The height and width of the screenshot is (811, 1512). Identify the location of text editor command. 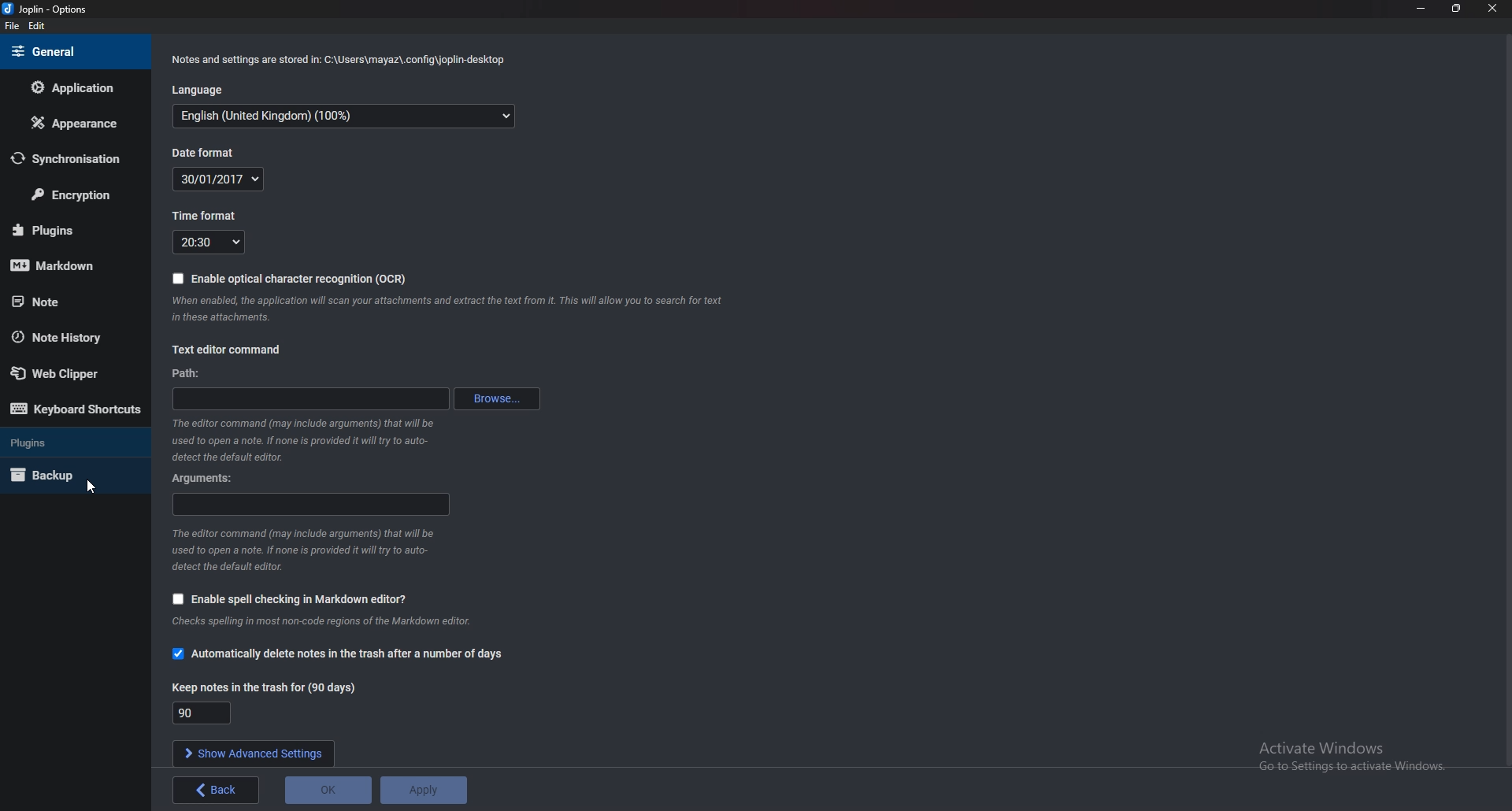
(230, 349).